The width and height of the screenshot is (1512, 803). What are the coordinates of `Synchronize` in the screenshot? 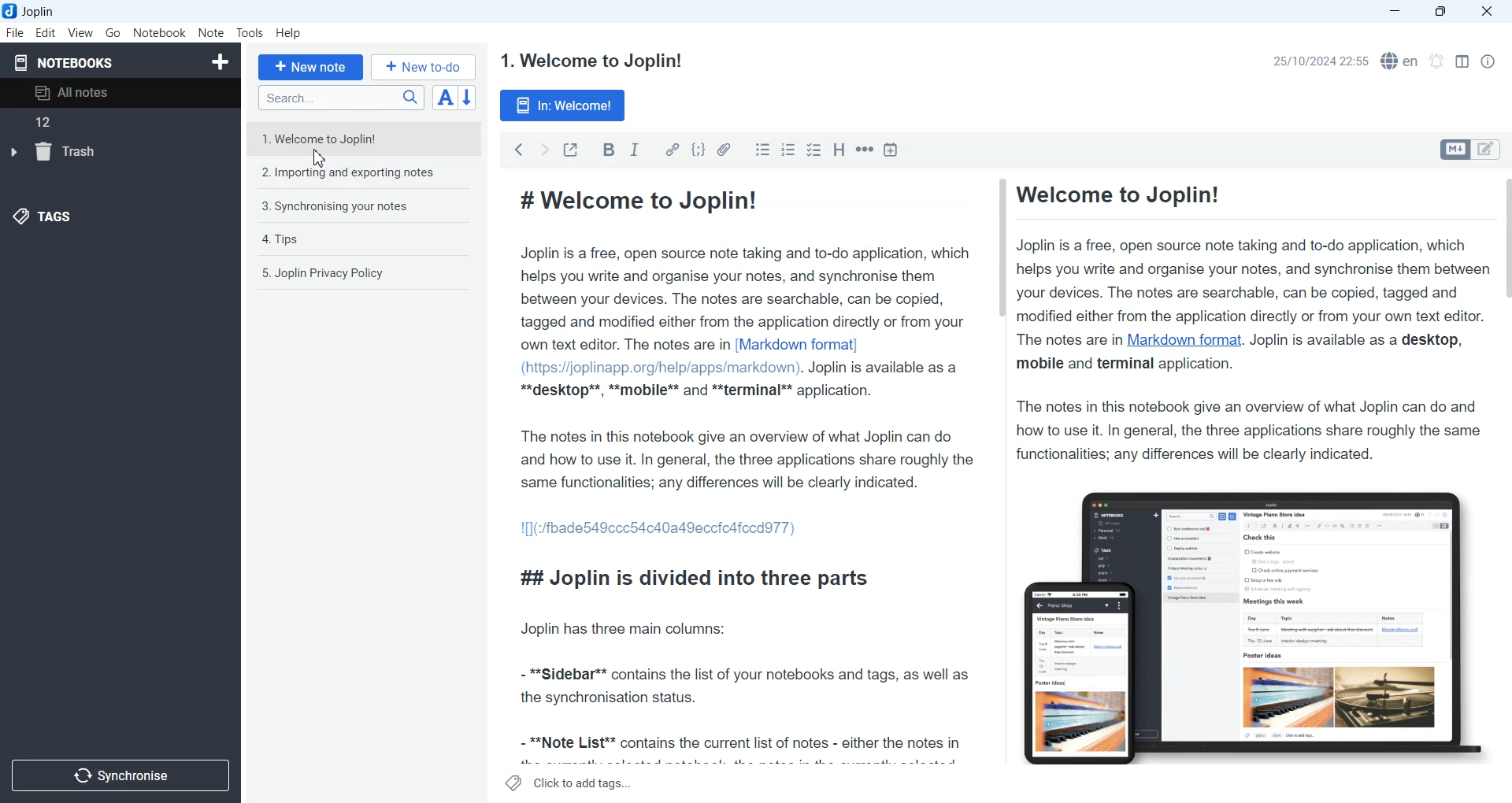 It's located at (120, 774).